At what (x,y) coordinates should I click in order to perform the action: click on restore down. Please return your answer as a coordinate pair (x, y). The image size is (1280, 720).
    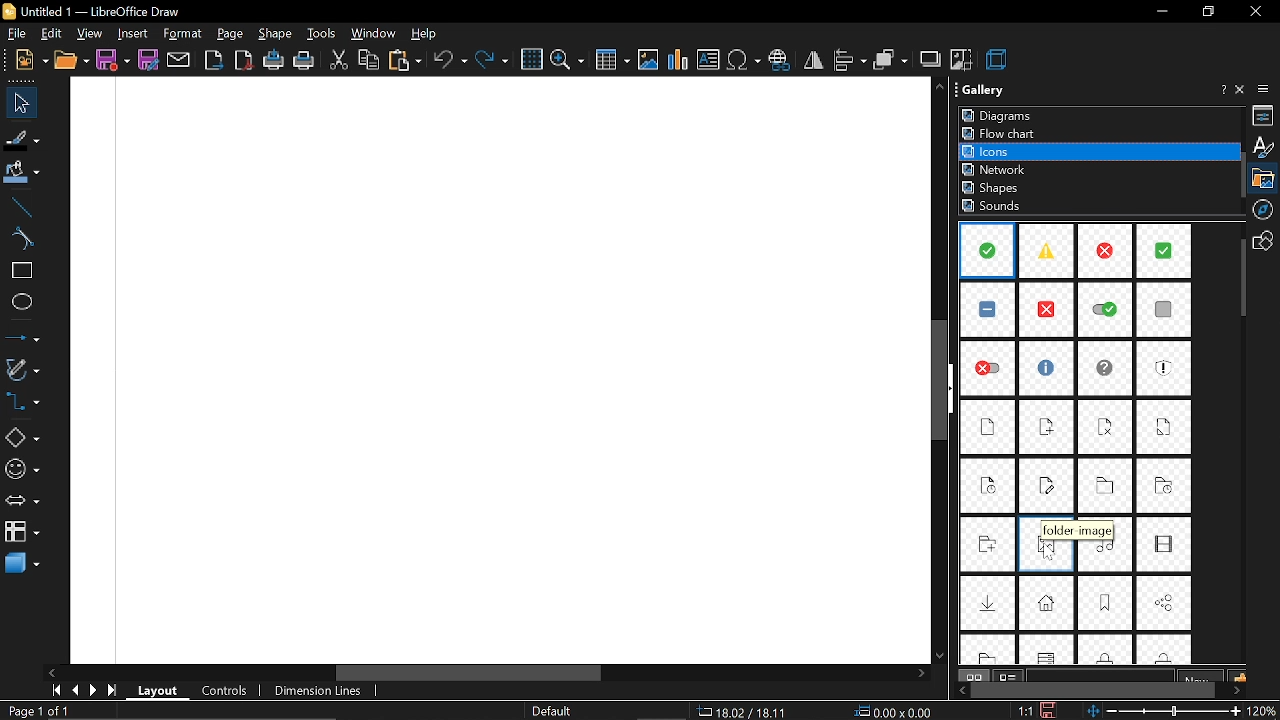
    Looking at the image, I should click on (1206, 12).